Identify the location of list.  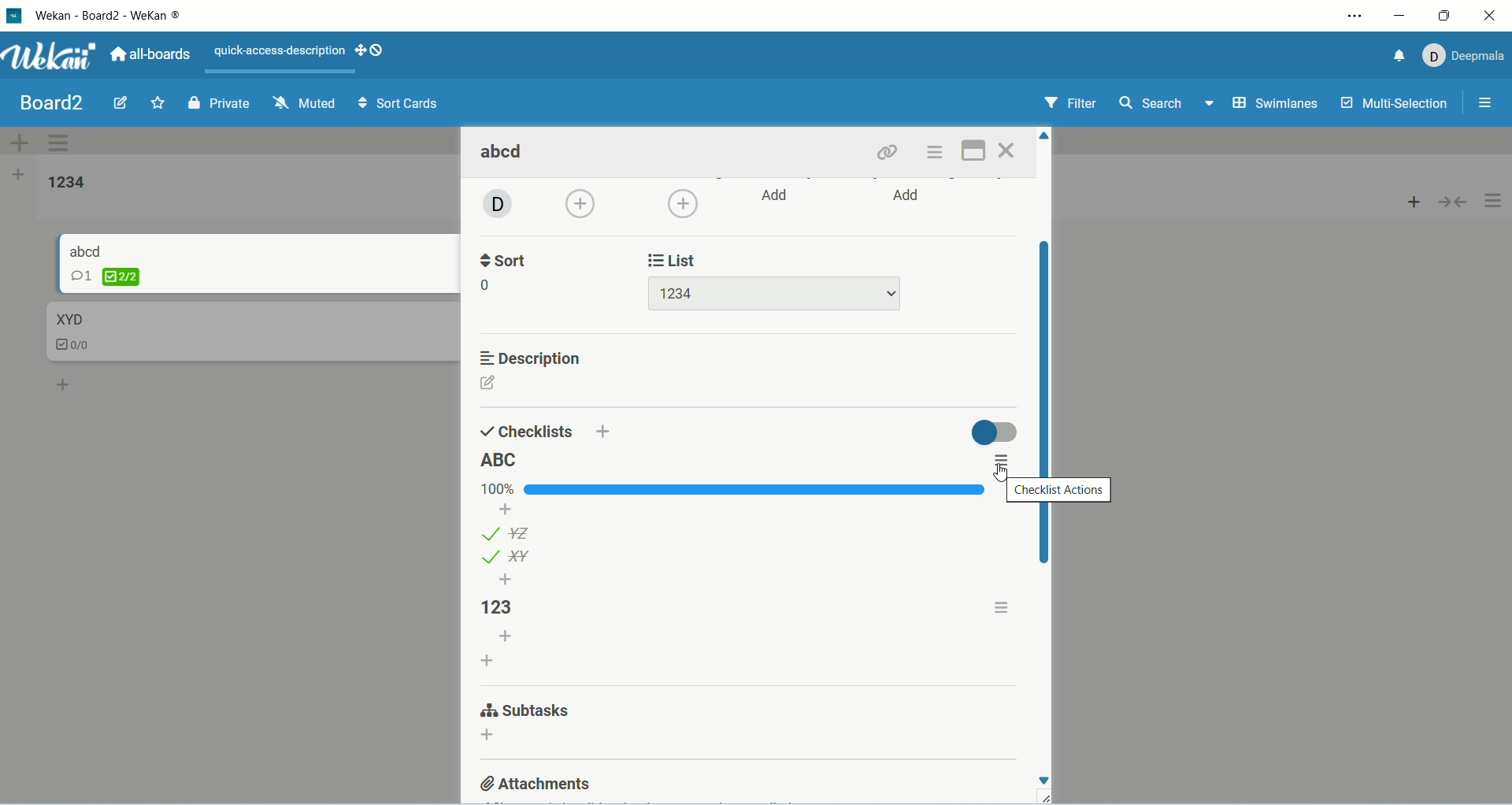
(677, 258).